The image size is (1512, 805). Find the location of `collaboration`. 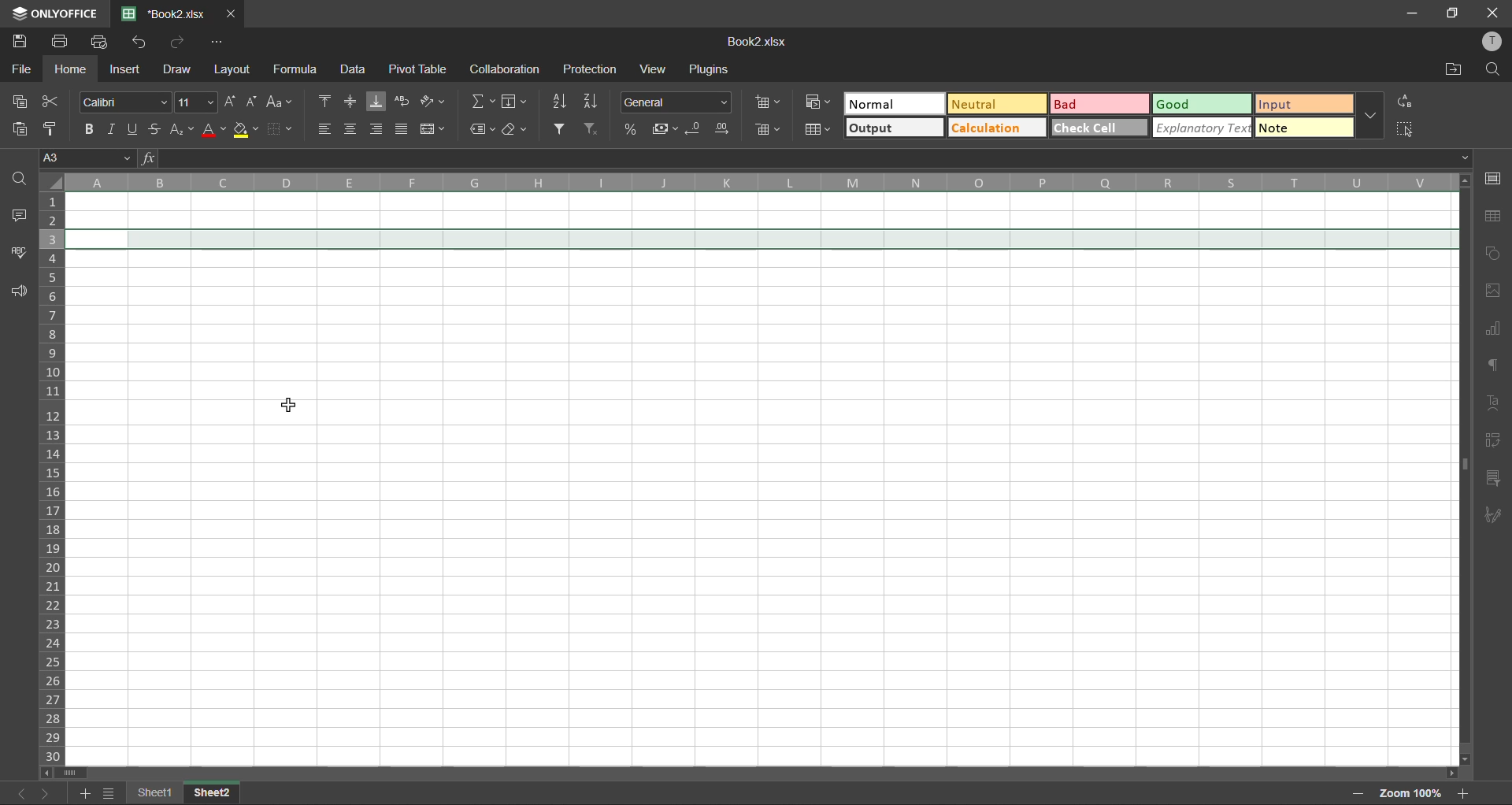

collaboration is located at coordinates (506, 69).